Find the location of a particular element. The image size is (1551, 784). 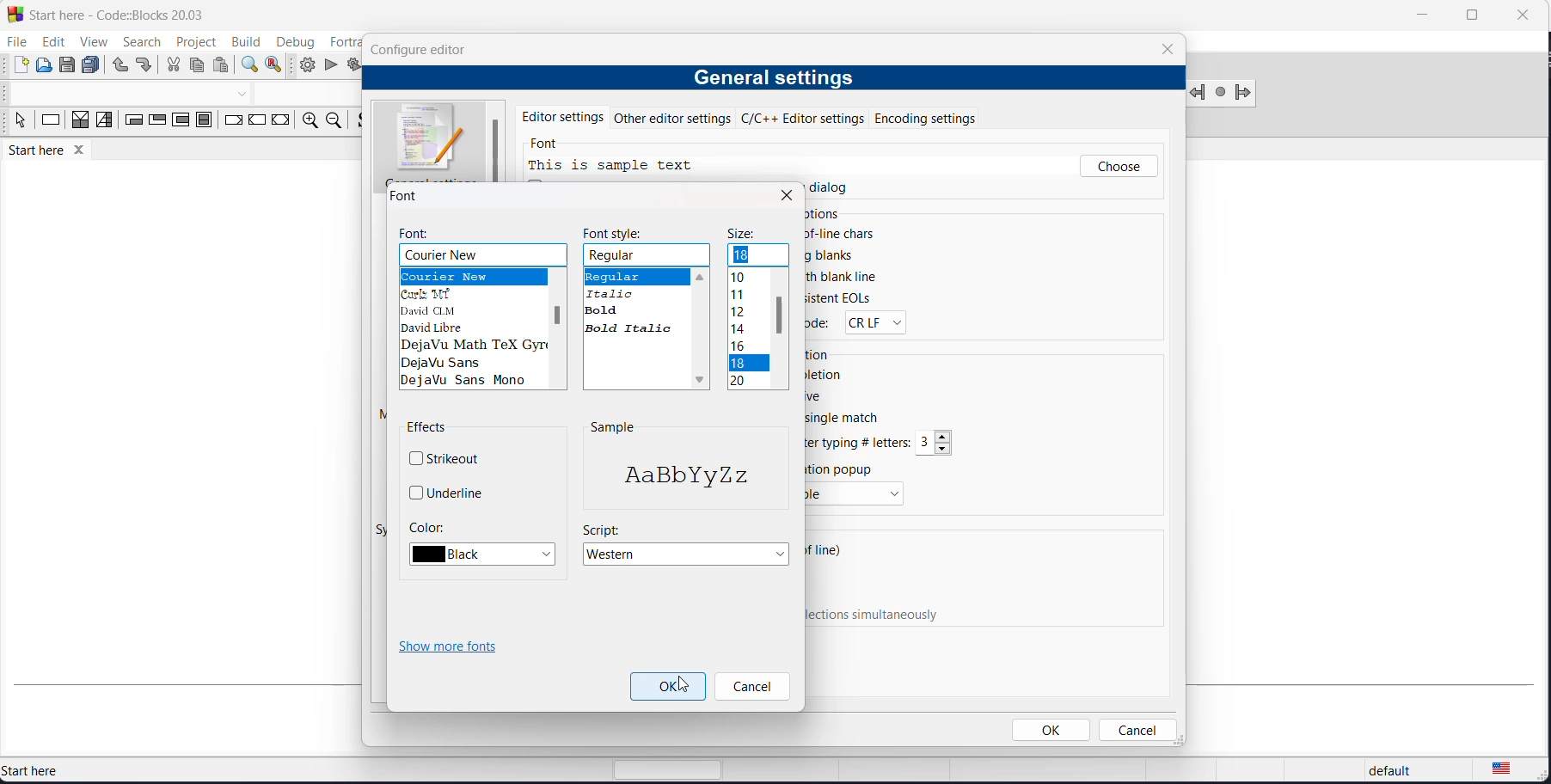

counting loop is located at coordinates (180, 122).